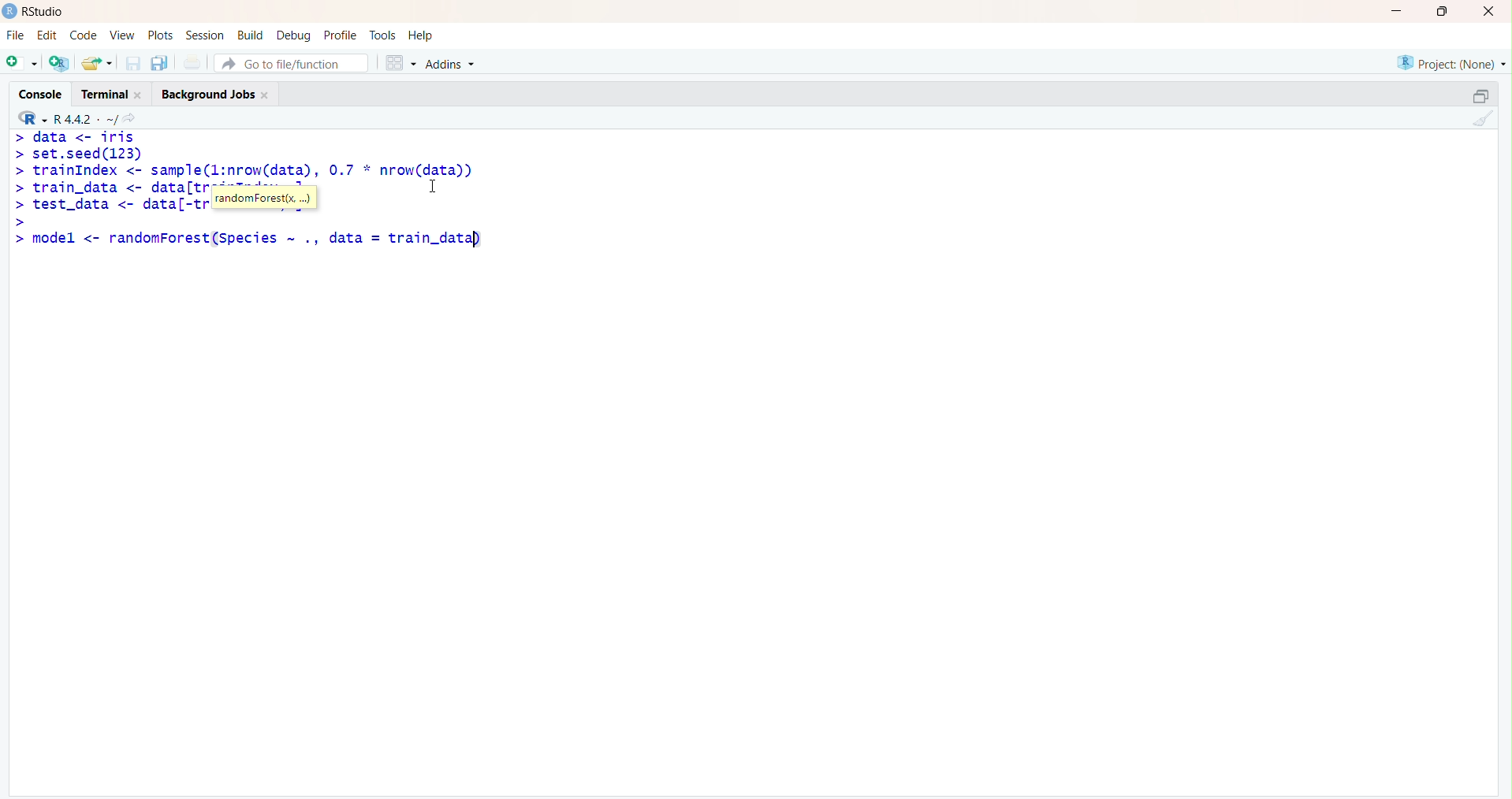 This screenshot has height=799, width=1512. Describe the element at coordinates (19, 188) in the screenshot. I see `Prompt cursor` at that location.